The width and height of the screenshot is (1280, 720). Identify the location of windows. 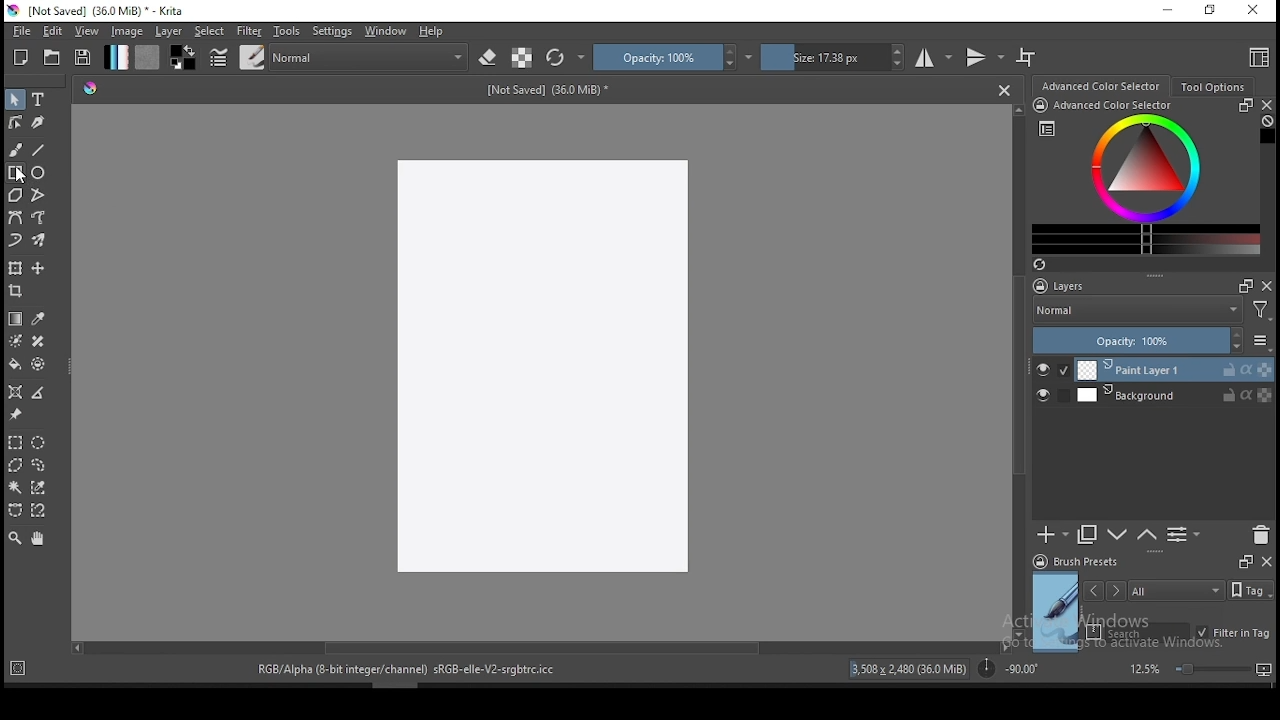
(386, 31).